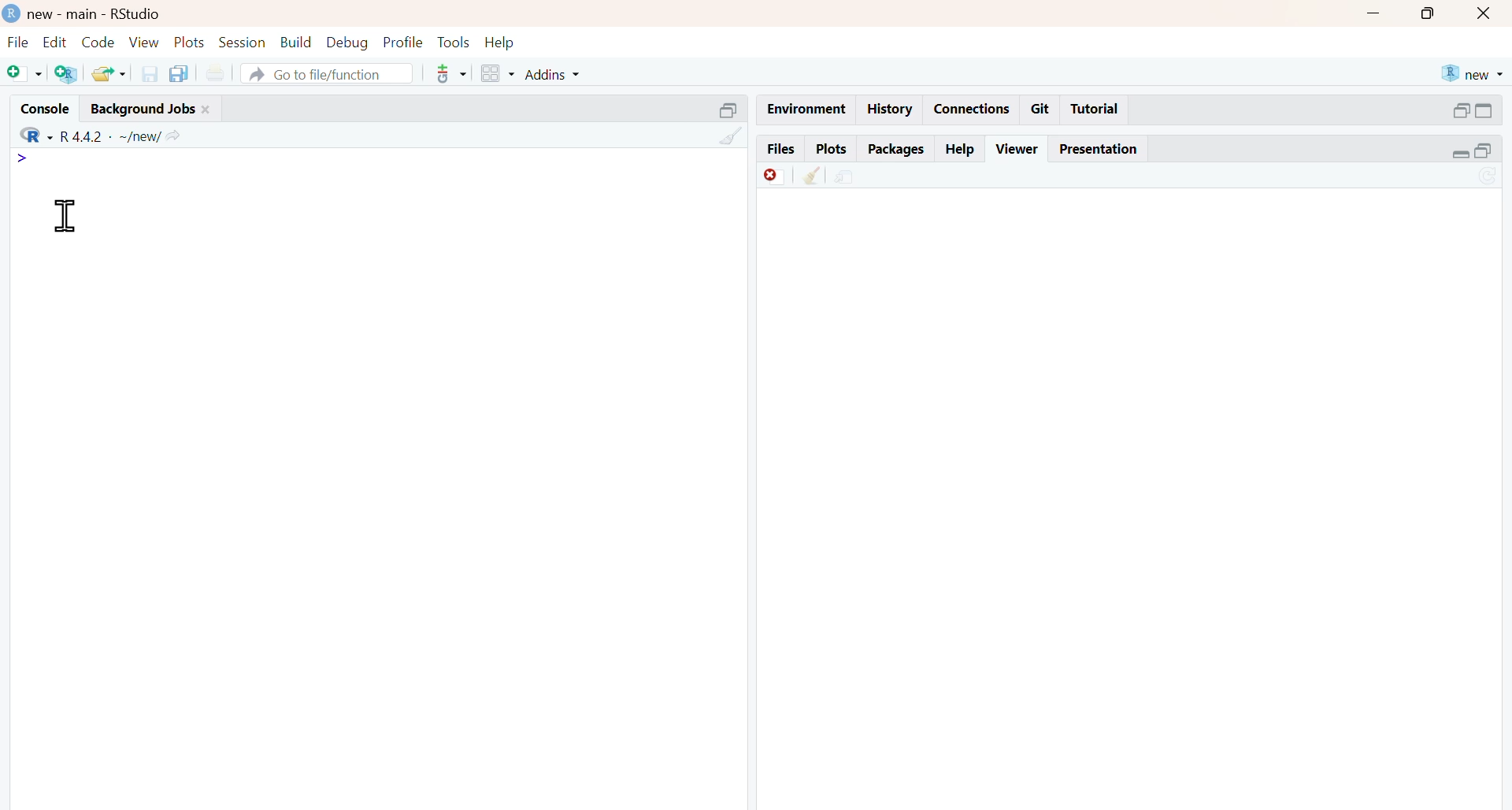 The image size is (1512, 810). I want to click on add file as, so click(25, 74).